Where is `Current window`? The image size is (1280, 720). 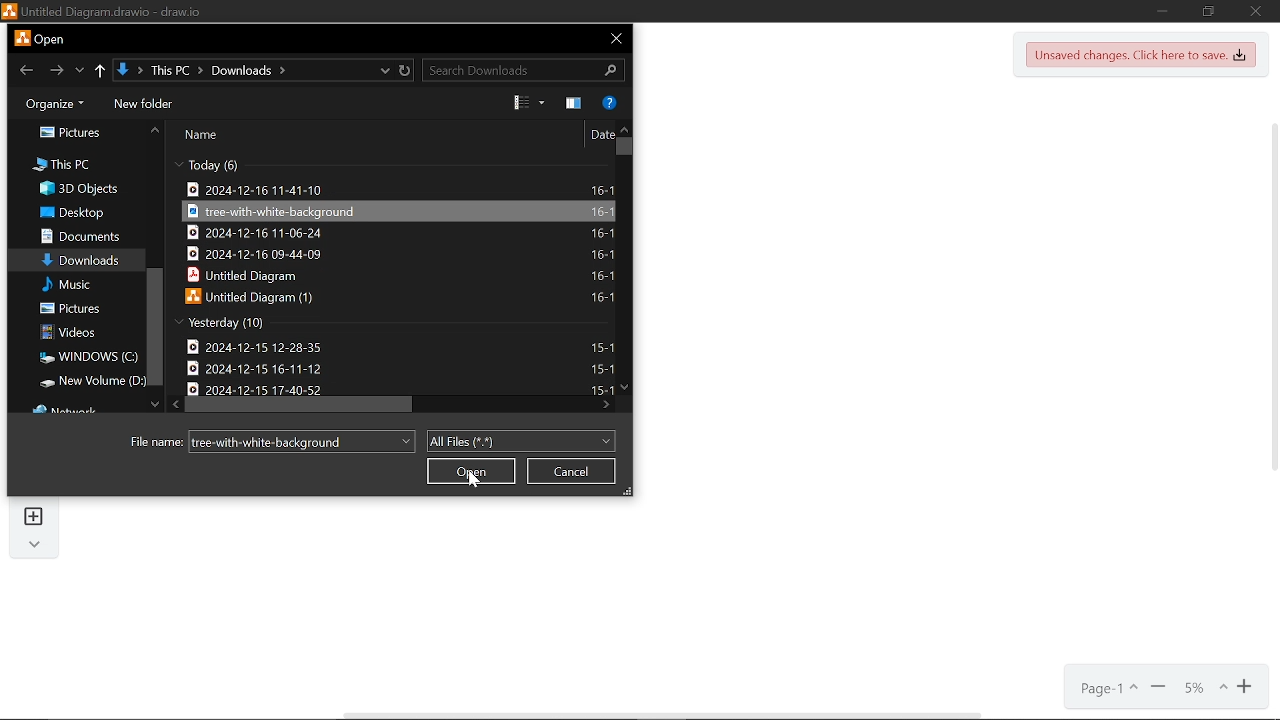
Current window is located at coordinates (38, 38).